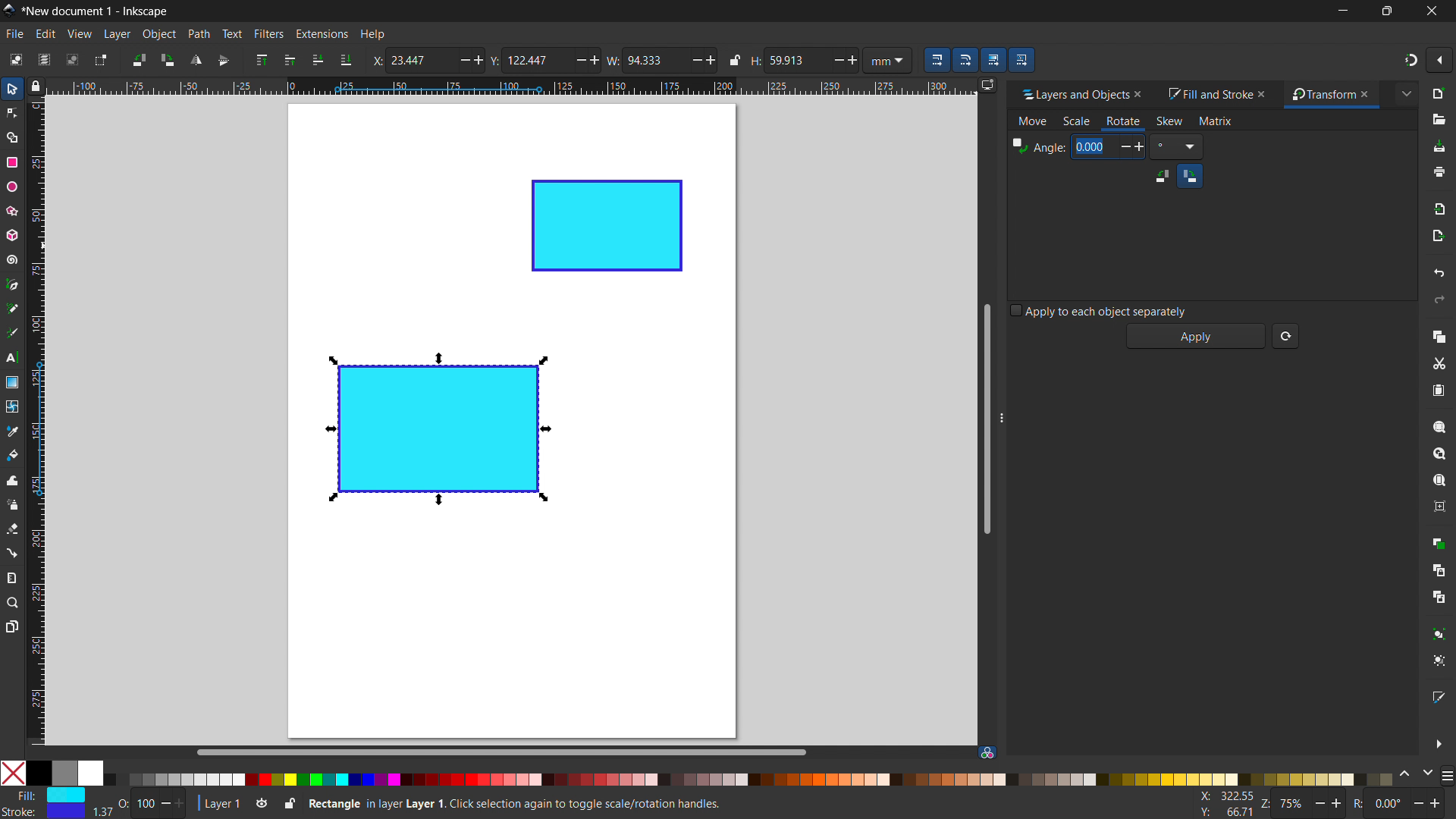  I want to click on text tool, so click(12, 359).